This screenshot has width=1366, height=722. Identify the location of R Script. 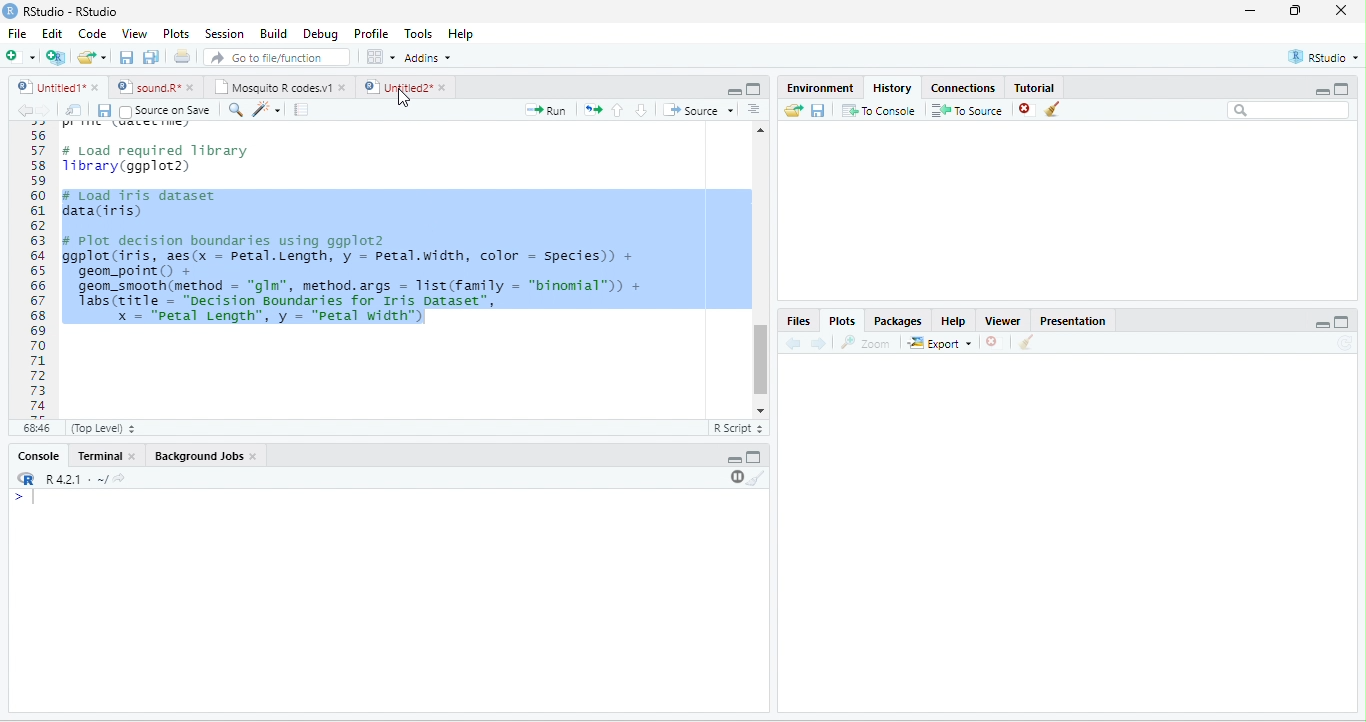
(737, 428).